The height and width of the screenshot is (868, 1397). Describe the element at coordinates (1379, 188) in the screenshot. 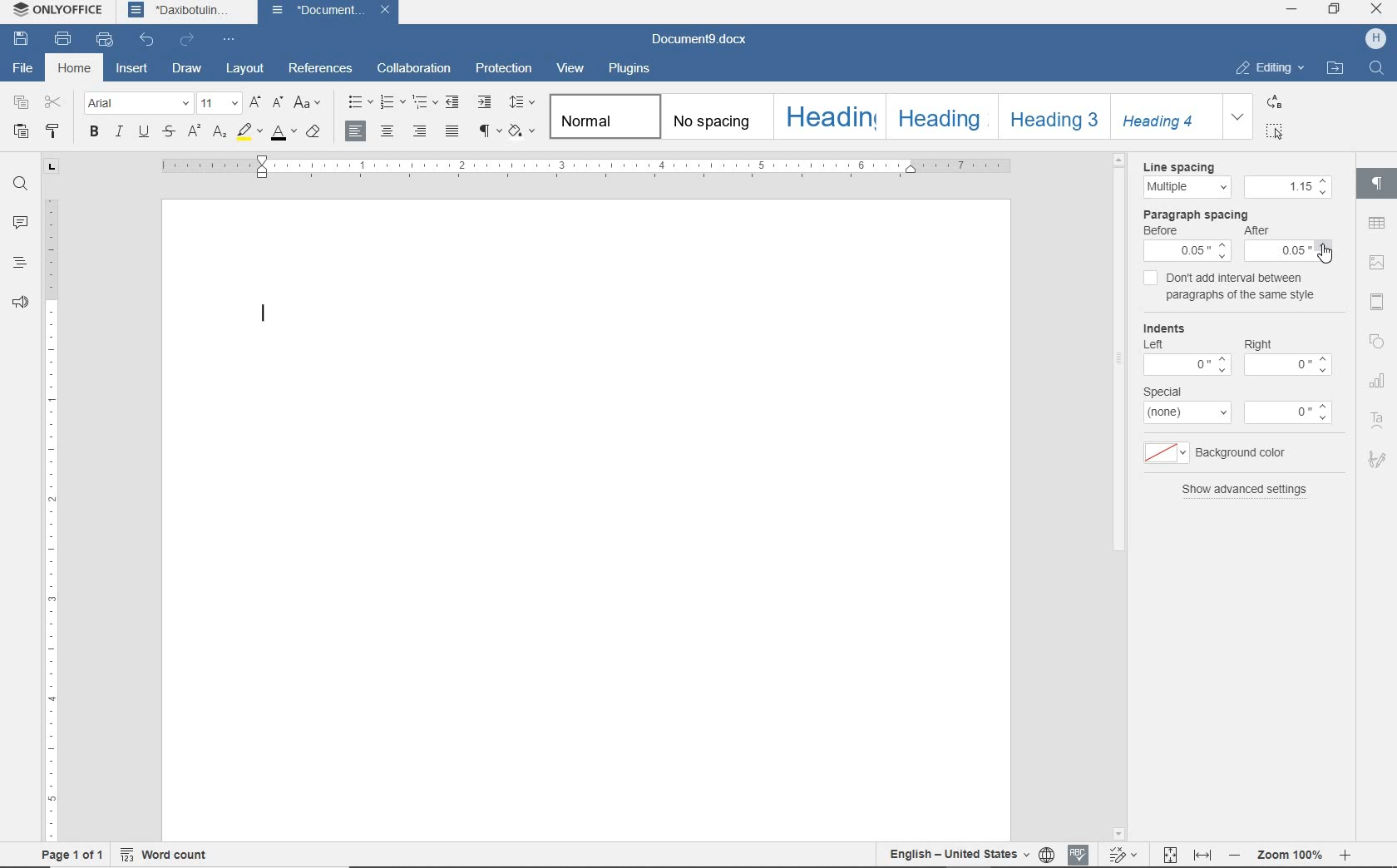

I see `paragraph settings` at that location.